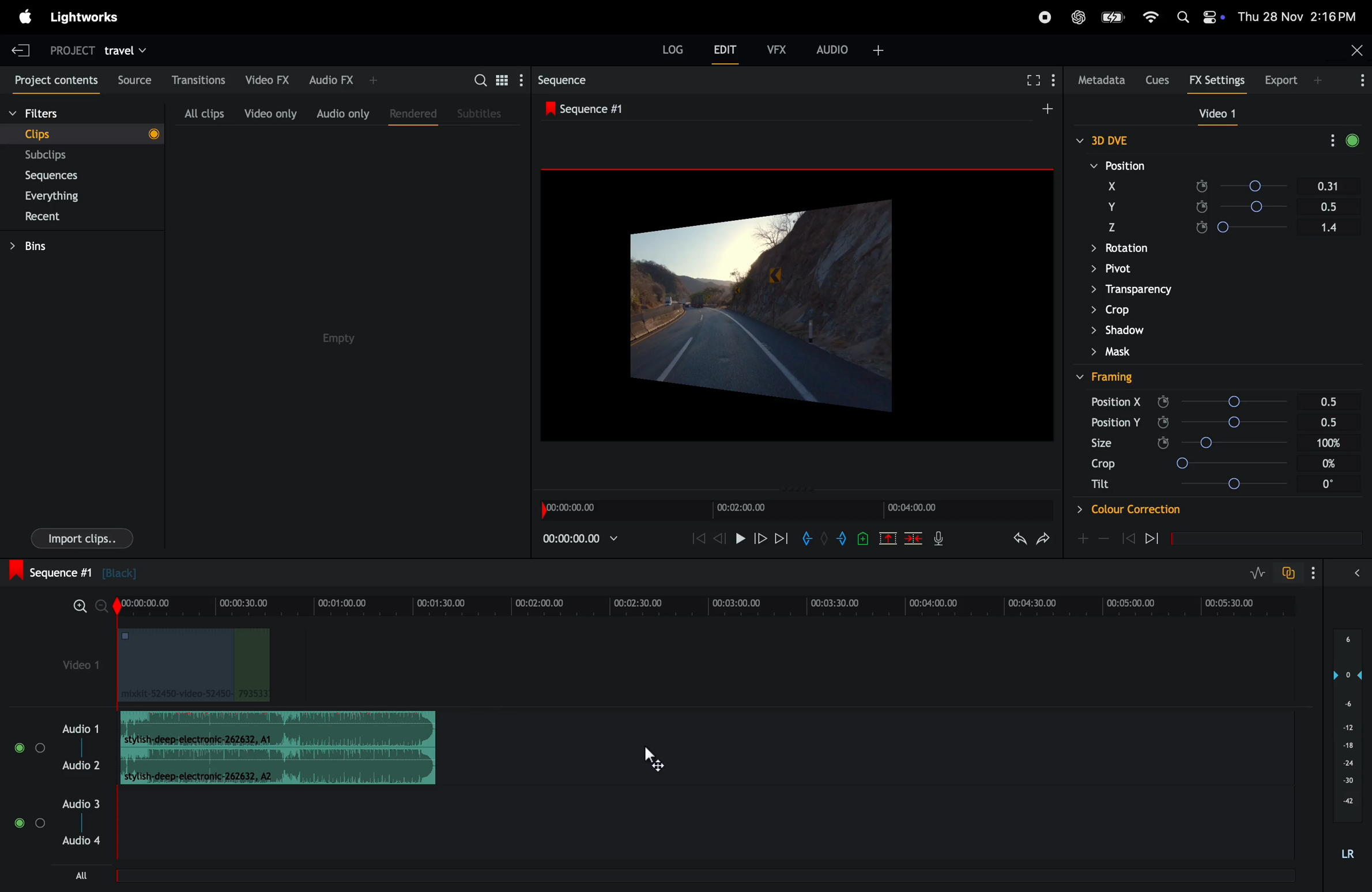  I want to click on import clips, so click(77, 541).